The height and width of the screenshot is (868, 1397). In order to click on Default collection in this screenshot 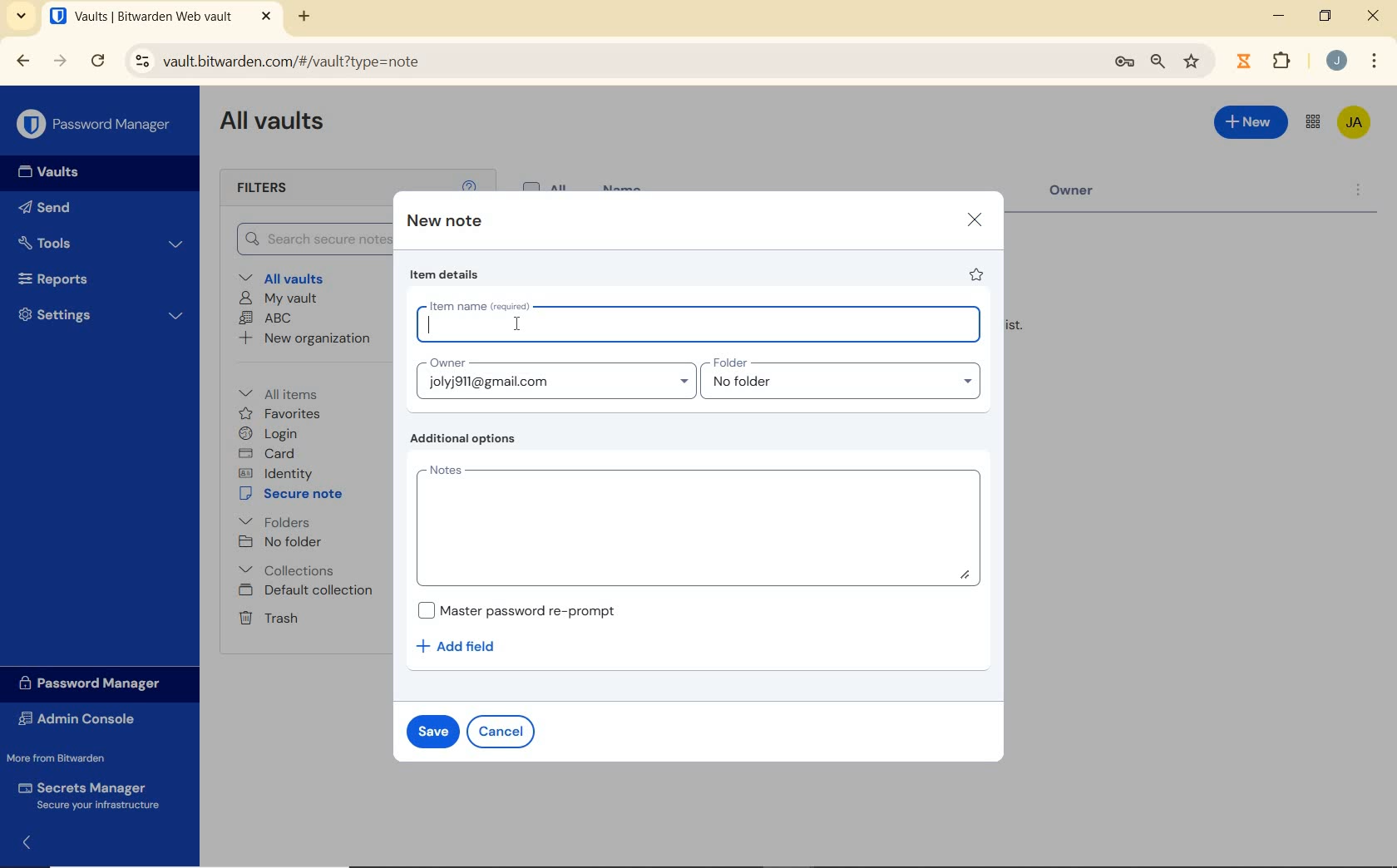, I will do `click(308, 591)`.